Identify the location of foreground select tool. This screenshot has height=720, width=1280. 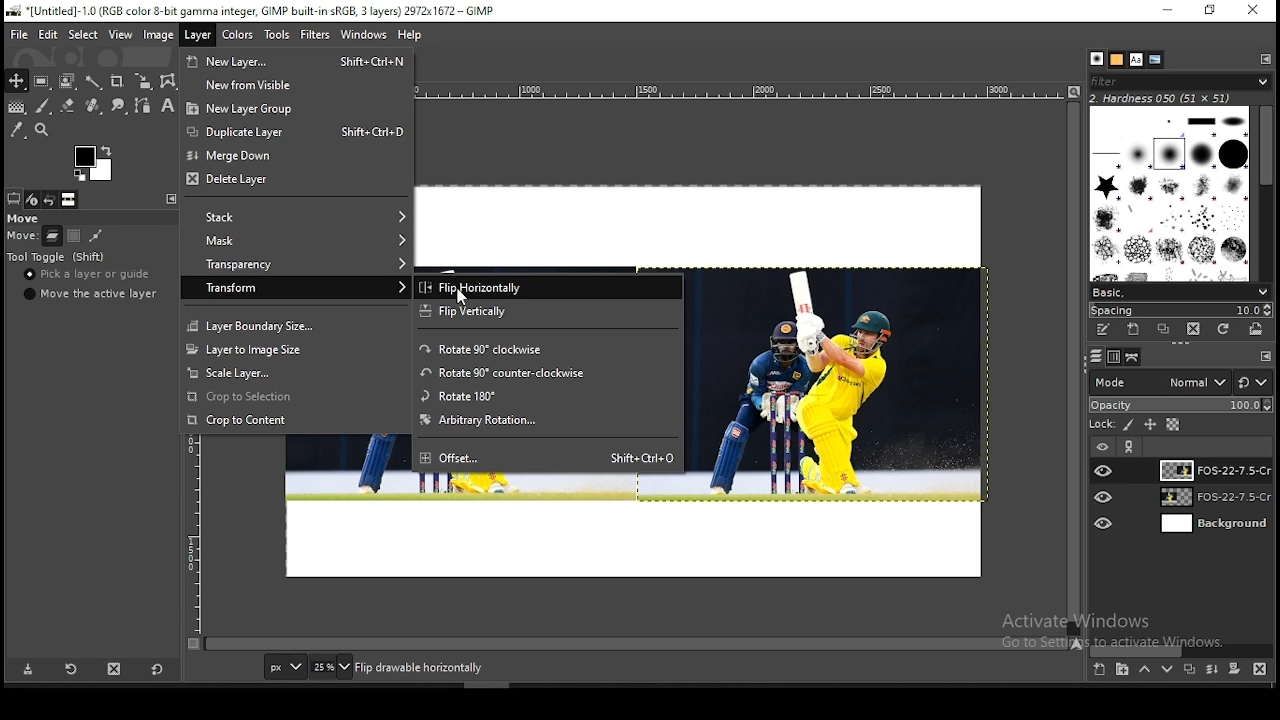
(68, 79).